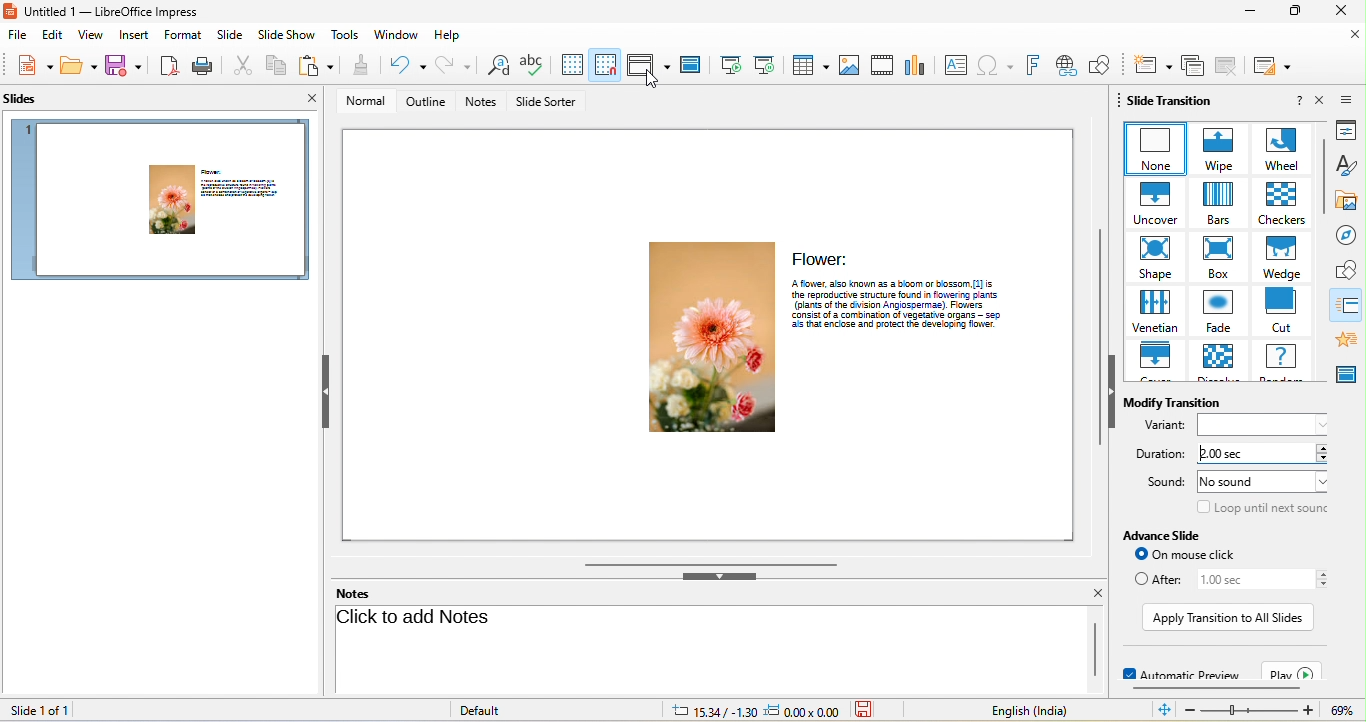  What do you see at coordinates (1155, 579) in the screenshot?
I see `after` at bounding box center [1155, 579].